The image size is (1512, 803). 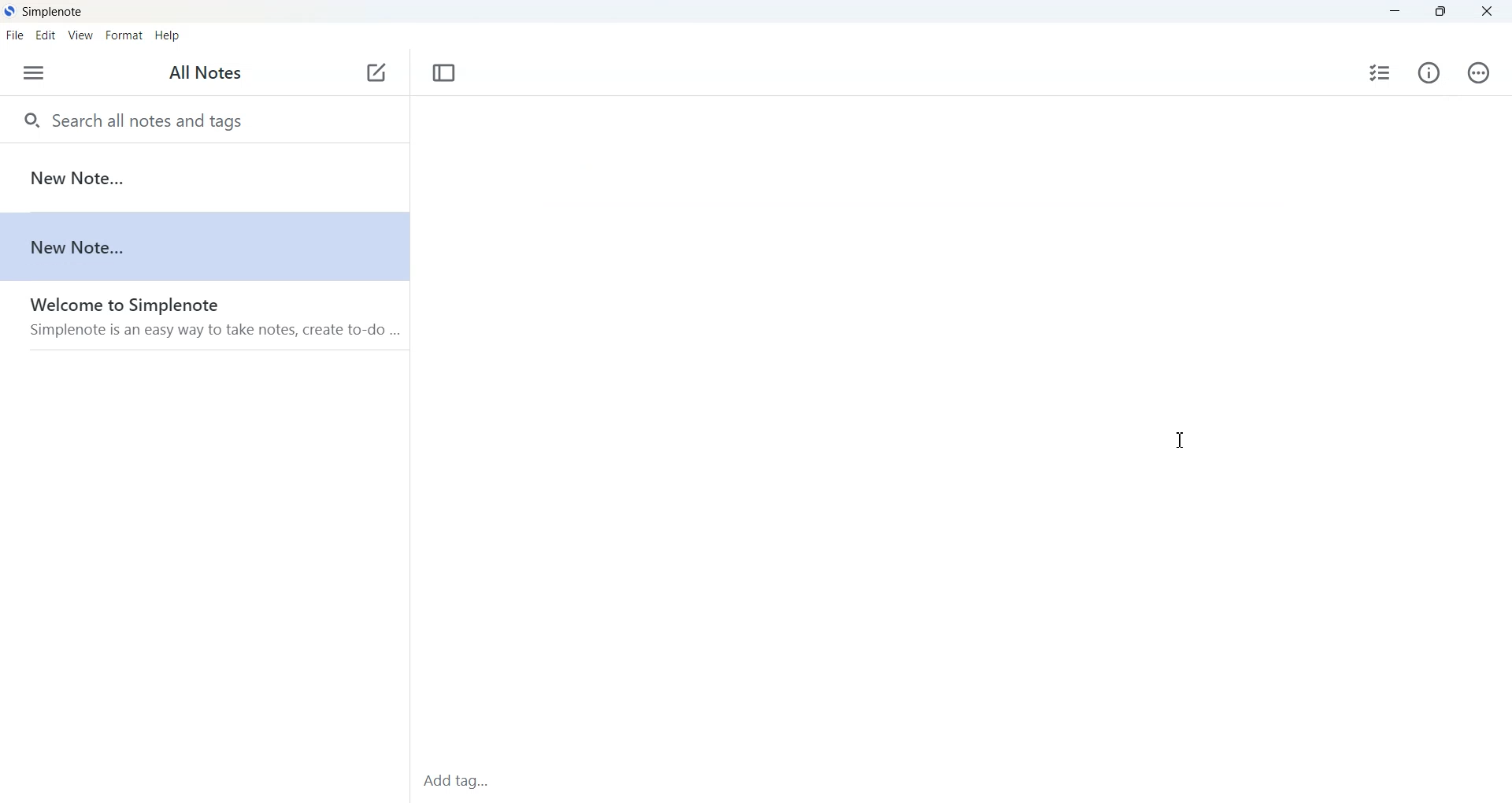 I want to click on Search all notes and tags, so click(x=205, y=118).